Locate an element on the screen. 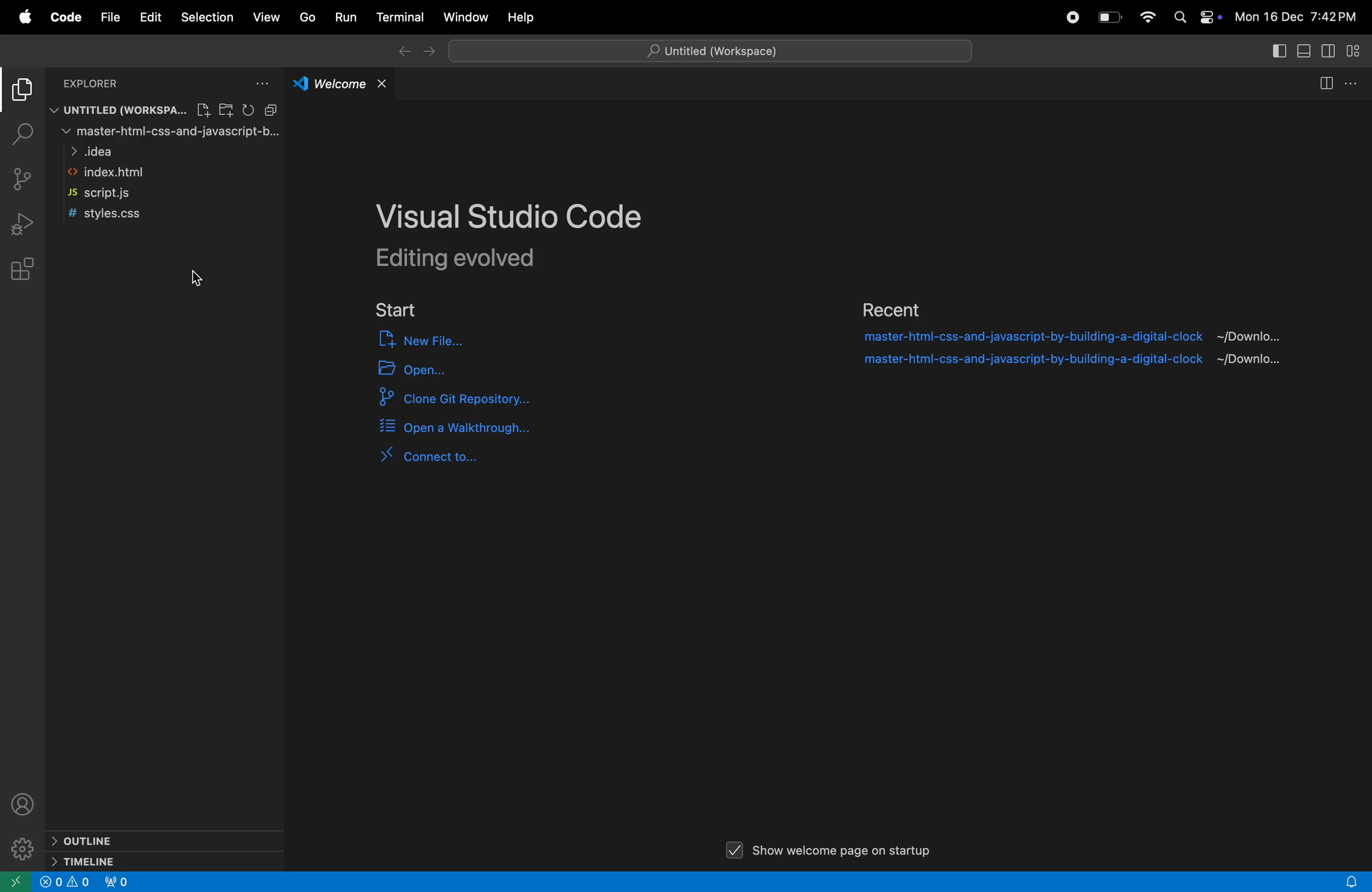 Image resolution: width=1372 pixels, height=892 pixels. Run is located at coordinates (348, 16).